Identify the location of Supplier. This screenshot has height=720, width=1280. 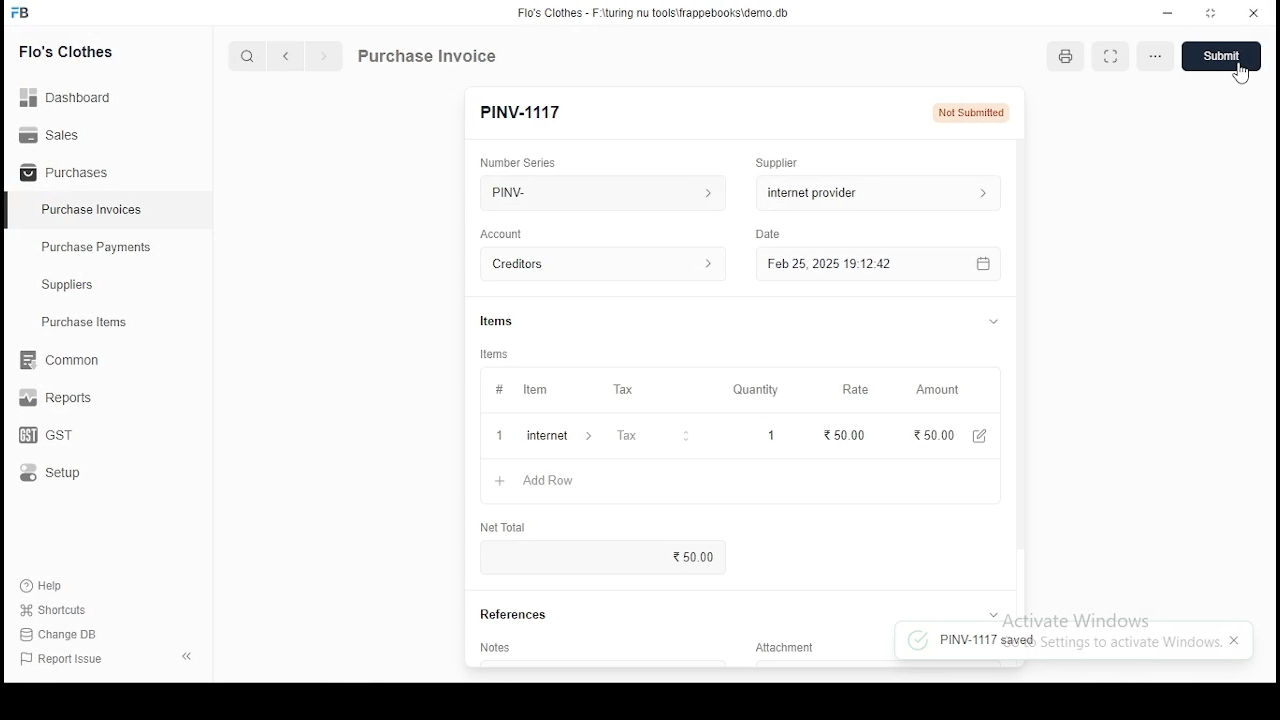
(778, 163).